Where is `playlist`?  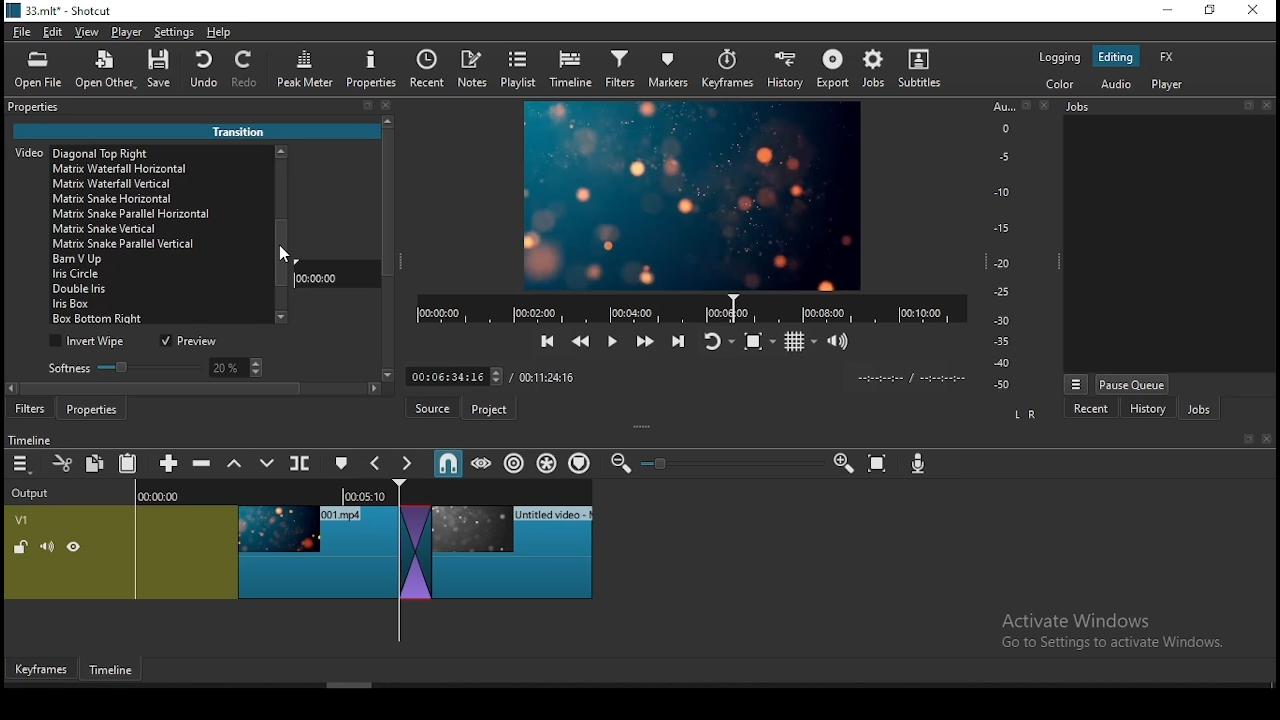
playlist is located at coordinates (520, 70).